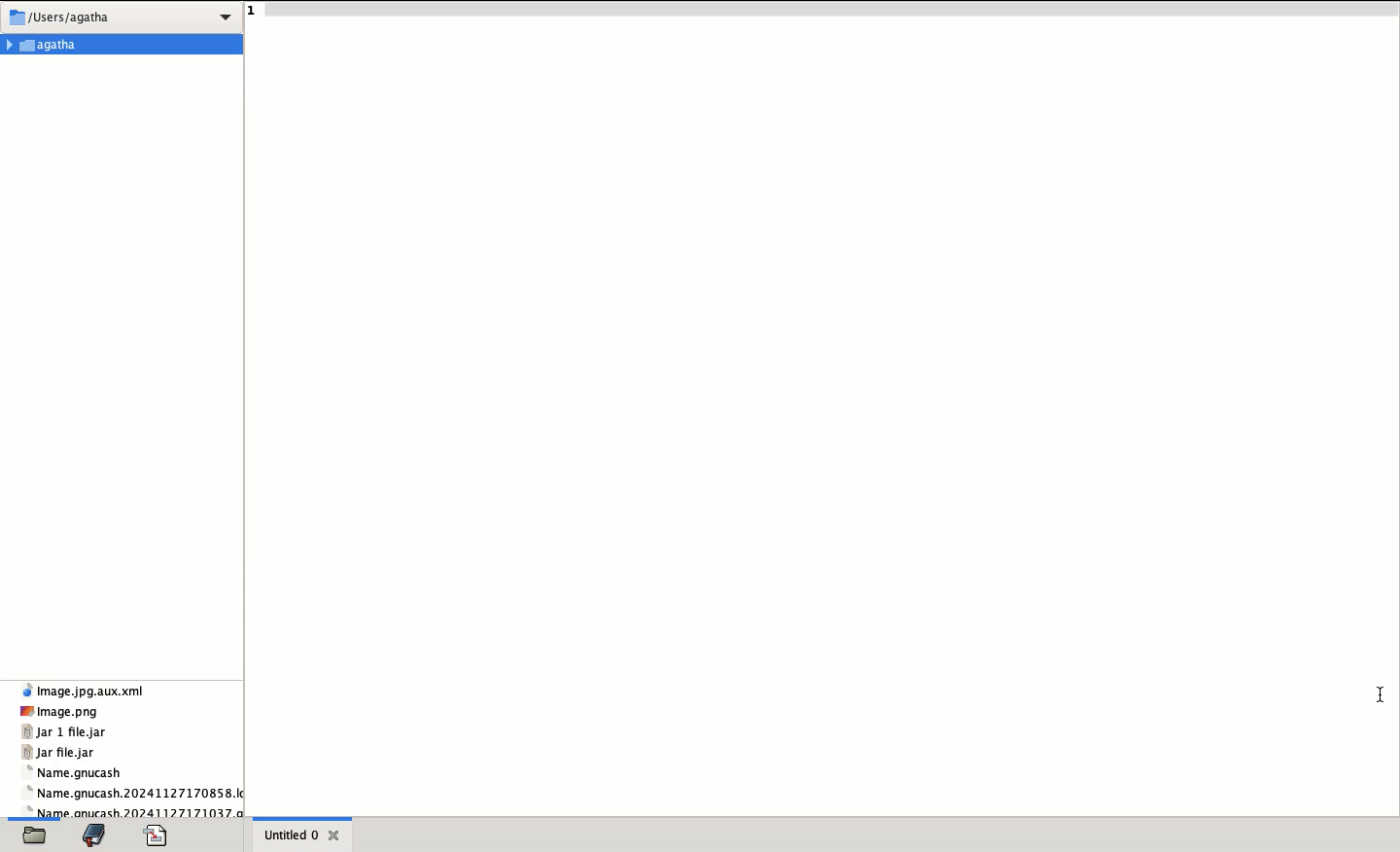 The image size is (1400, 852). Describe the element at coordinates (334, 834) in the screenshot. I see `close` at that location.